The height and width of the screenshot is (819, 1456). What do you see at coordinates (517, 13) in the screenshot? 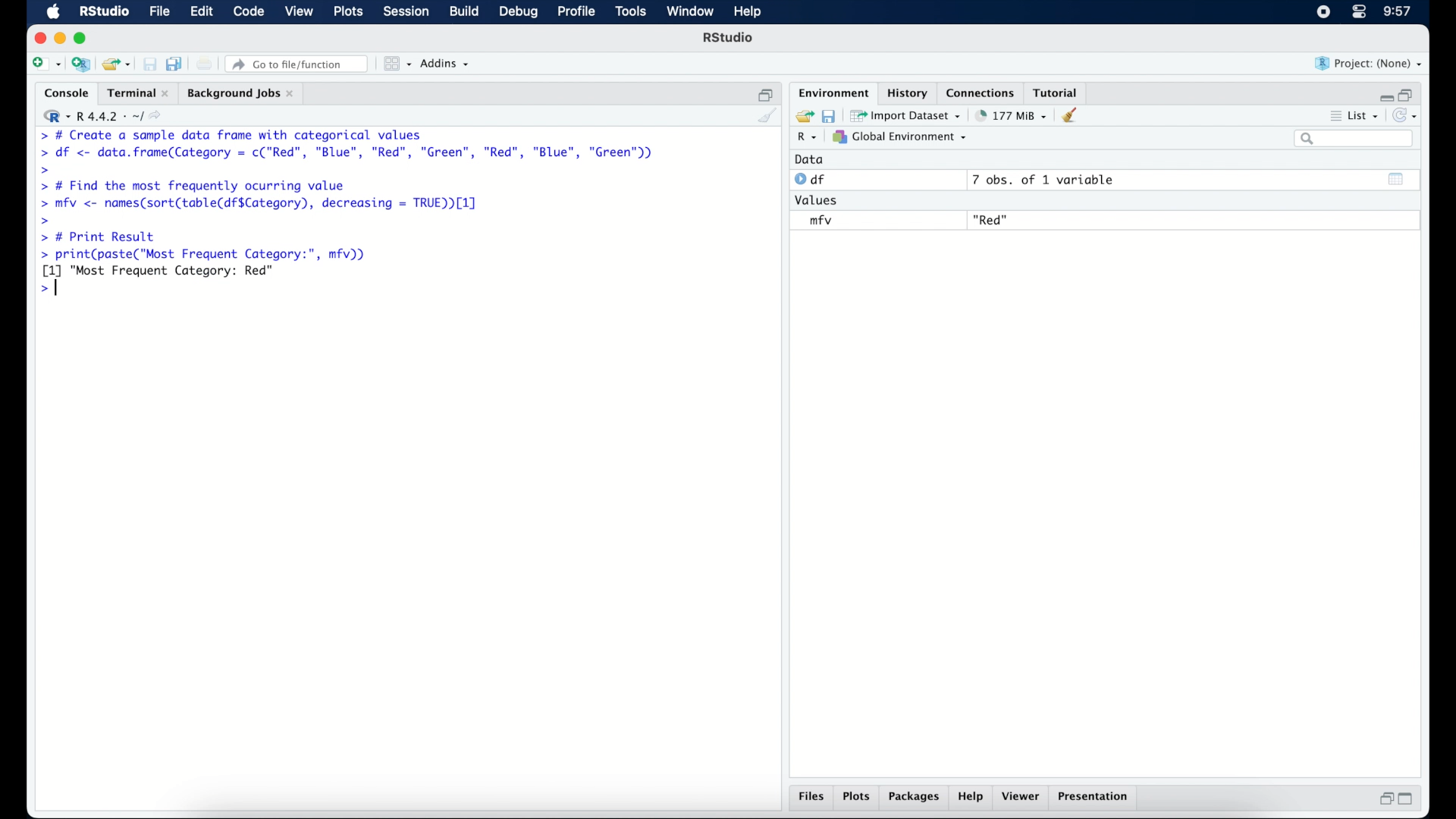
I see `debug` at bounding box center [517, 13].